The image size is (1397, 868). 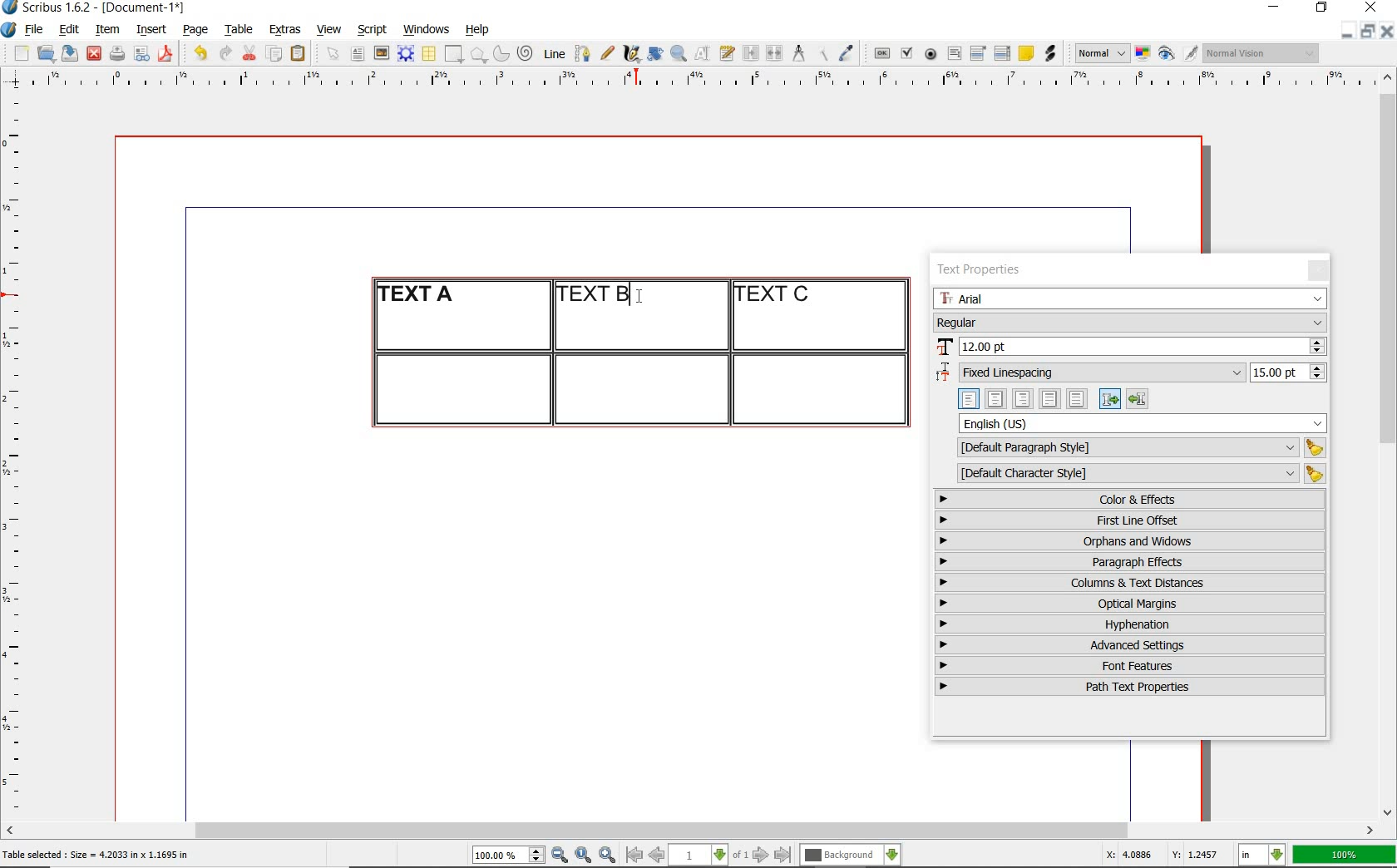 What do you see at coordinates (931, 56) in the screenshot?
I see `pdf radio button` at bounding box center [931, 56].